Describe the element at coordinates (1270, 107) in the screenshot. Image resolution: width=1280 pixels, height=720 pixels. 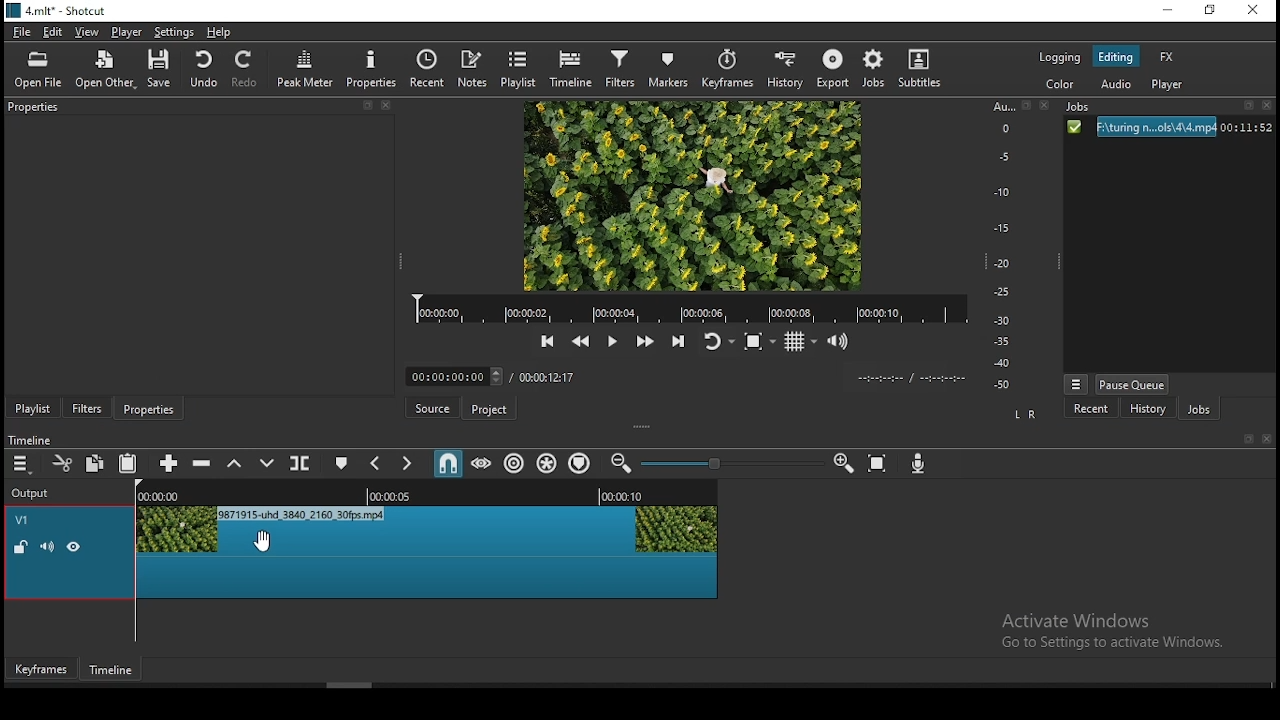
I see `close` at that location.